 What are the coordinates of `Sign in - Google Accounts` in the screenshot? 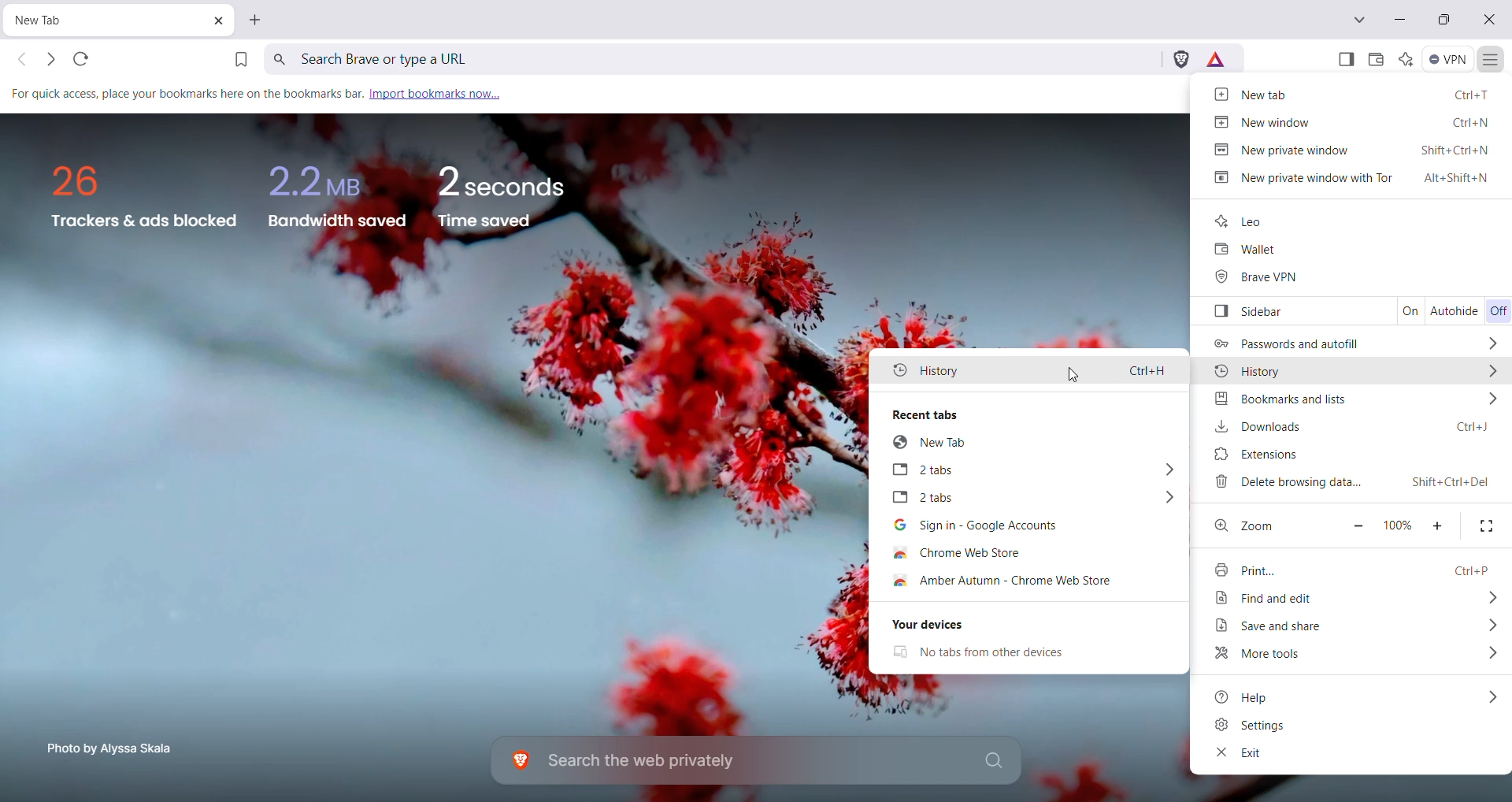 It's located at (1022, 526).